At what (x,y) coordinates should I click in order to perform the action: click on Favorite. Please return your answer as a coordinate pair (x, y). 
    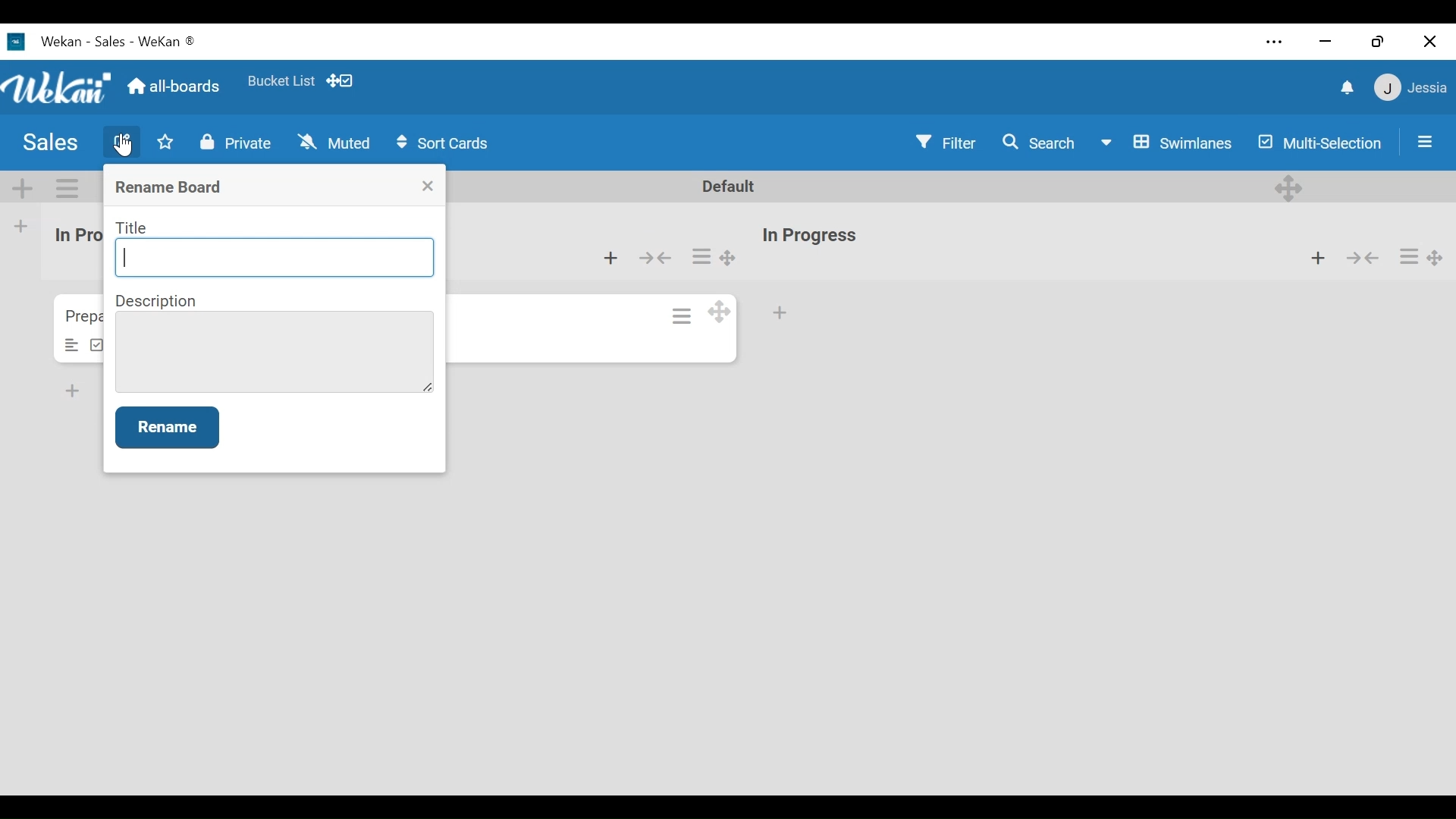
    Looking at the image, I should click on (281, 82).